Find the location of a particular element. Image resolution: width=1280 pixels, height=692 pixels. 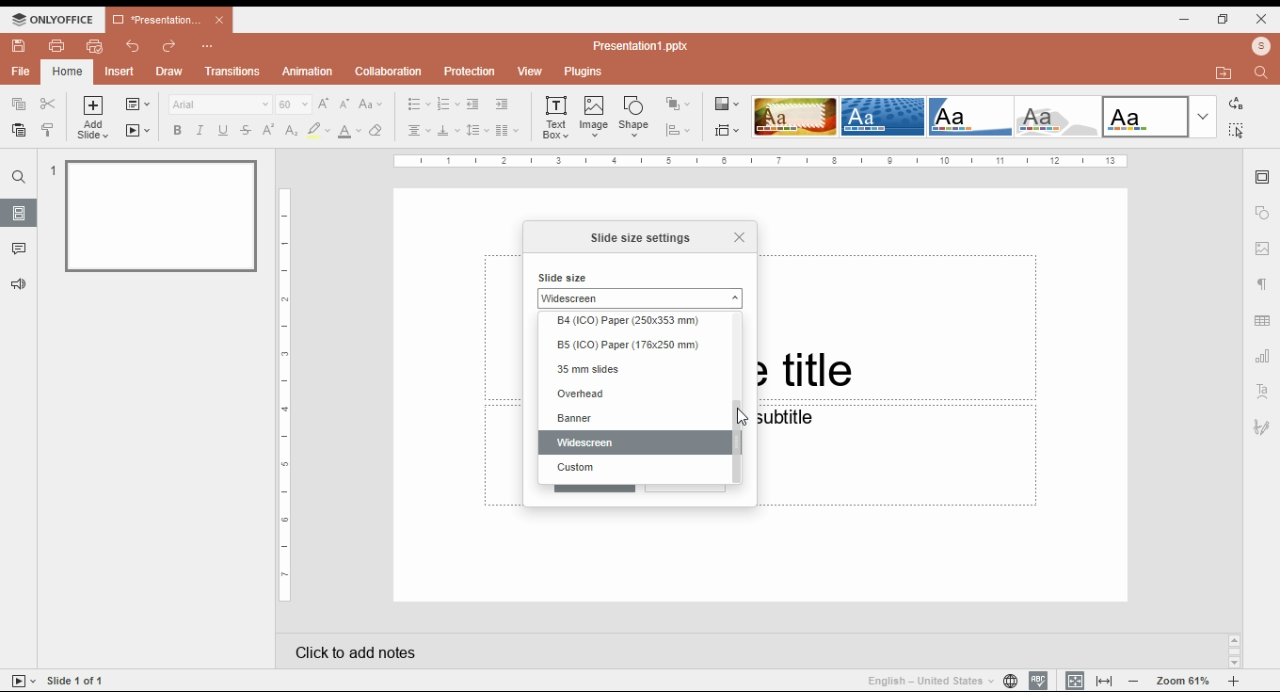

slide 1 is located at coordinates (154, 214).